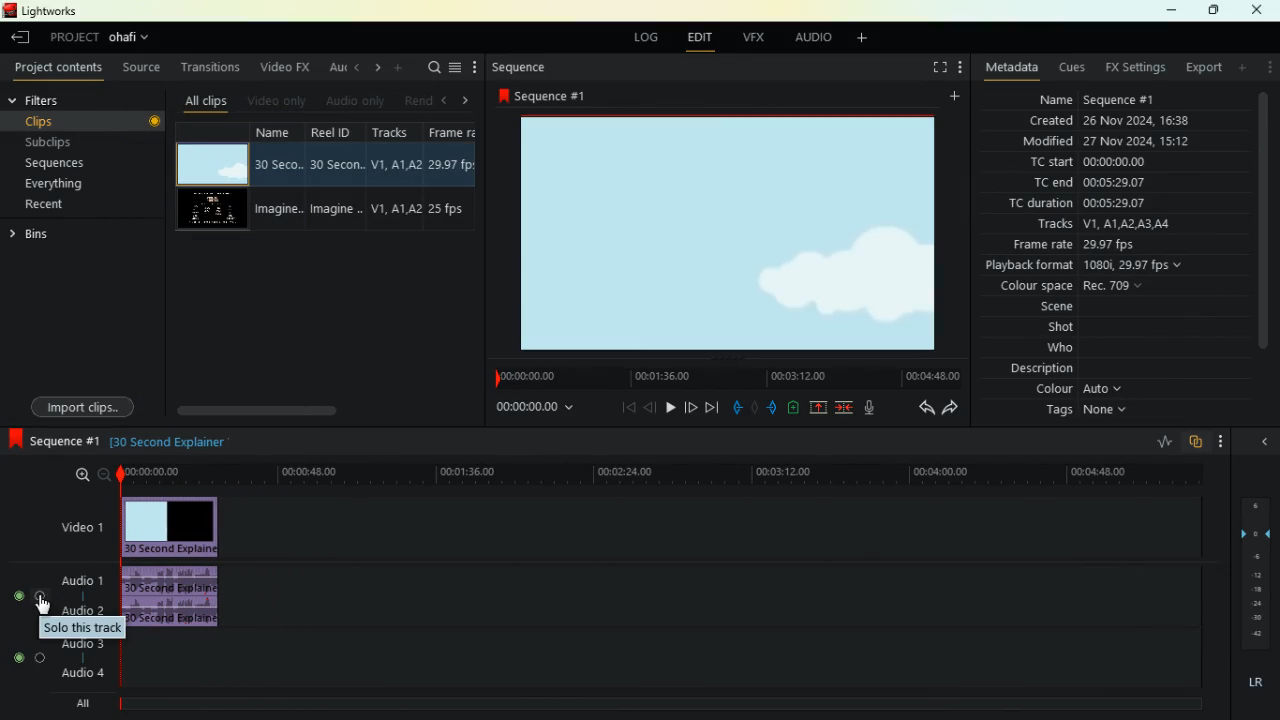 This screenshot has width=1280, height=720. I want to click on all clips, so click(206, 100).